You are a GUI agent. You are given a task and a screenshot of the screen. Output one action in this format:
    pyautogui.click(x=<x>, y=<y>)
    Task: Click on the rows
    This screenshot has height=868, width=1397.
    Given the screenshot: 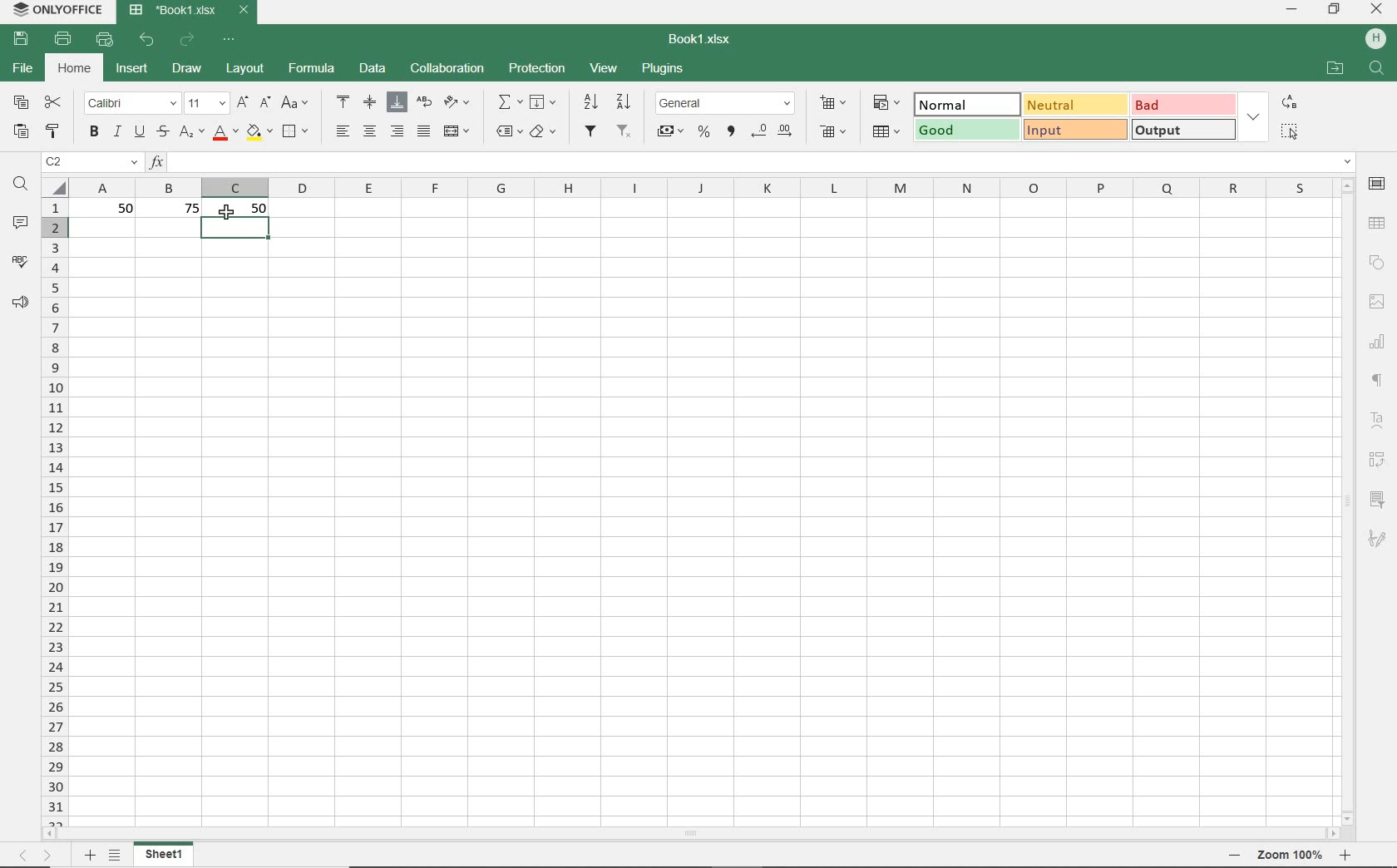 What is the action you would take?
    pyautogui.click(x=54, y=510)
    